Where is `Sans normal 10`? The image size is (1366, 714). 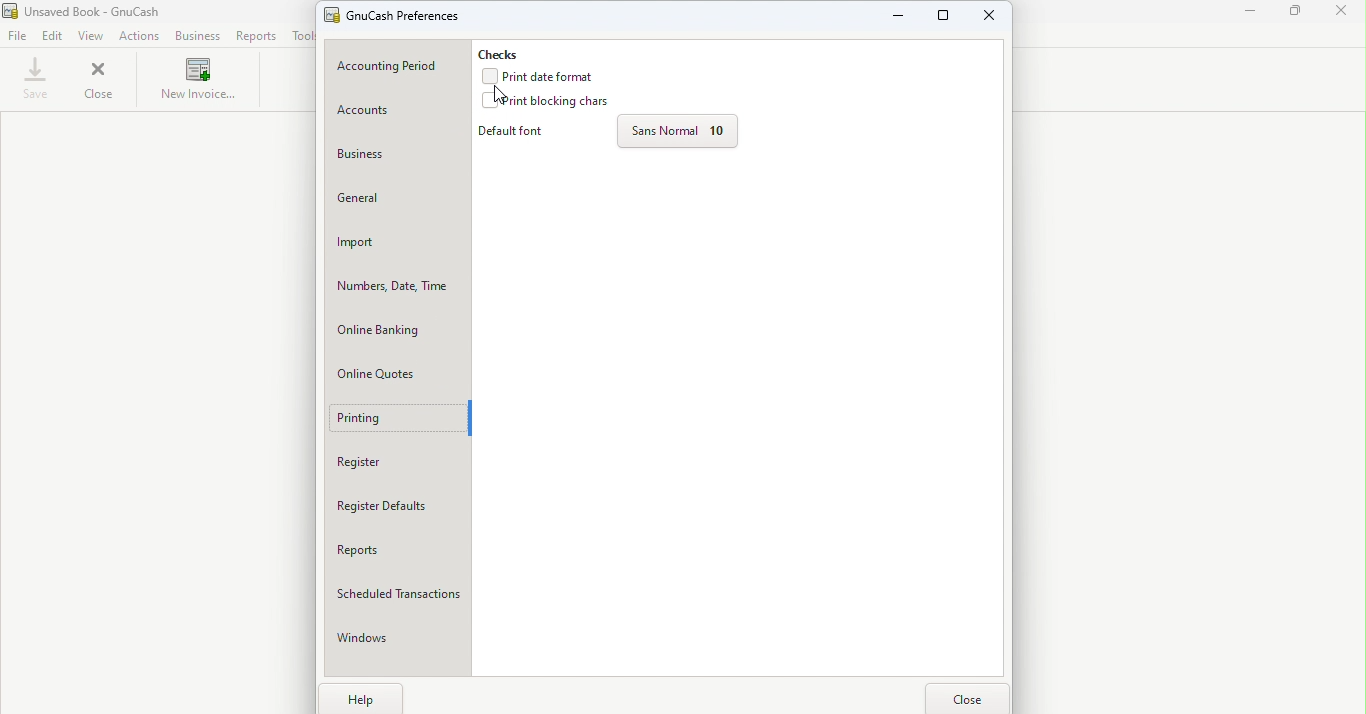
Sans normal 10 is located at coordinates (682, 133).